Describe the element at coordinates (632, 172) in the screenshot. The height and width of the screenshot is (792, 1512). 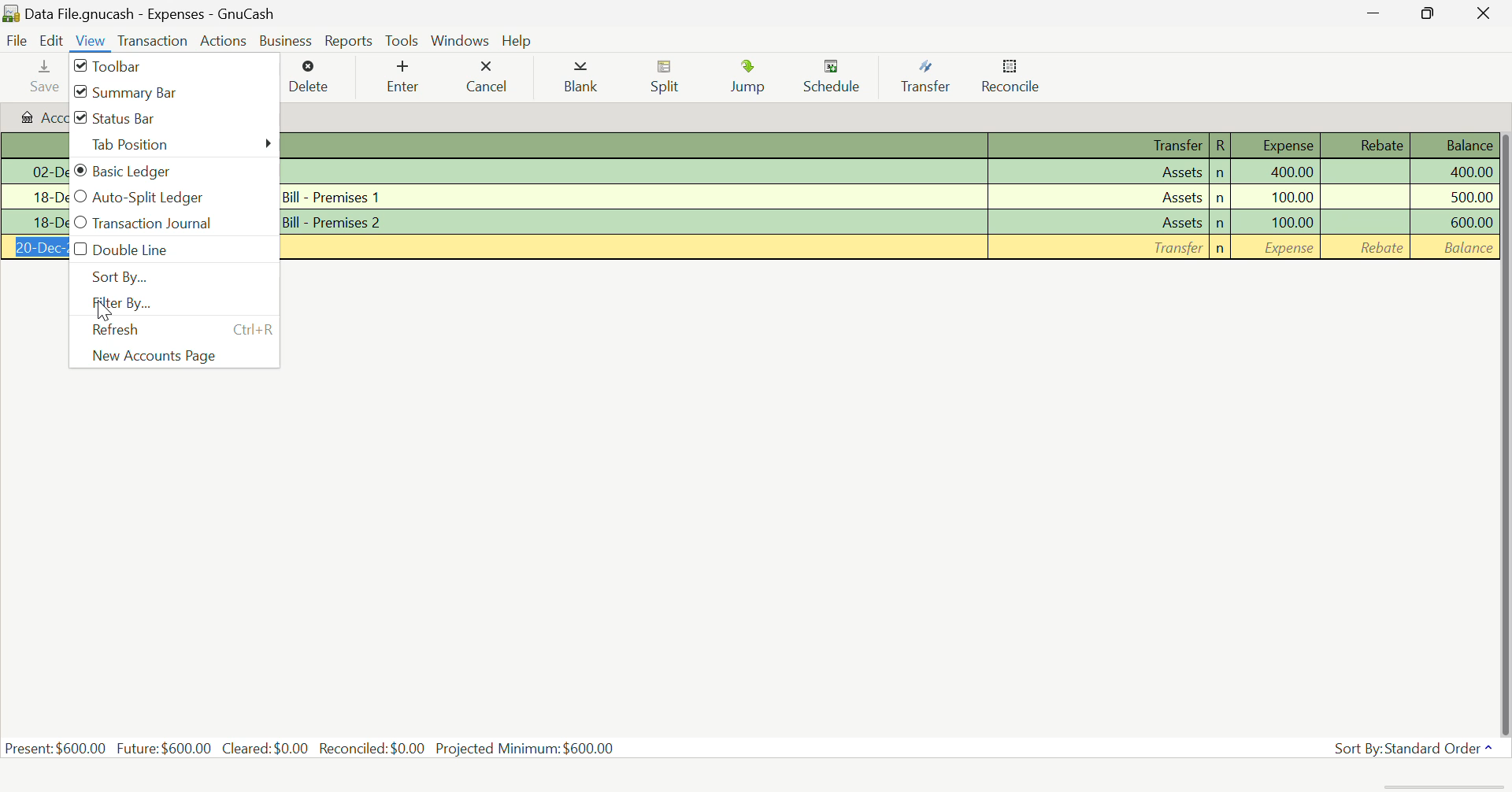
I see `Utilities` at that location.